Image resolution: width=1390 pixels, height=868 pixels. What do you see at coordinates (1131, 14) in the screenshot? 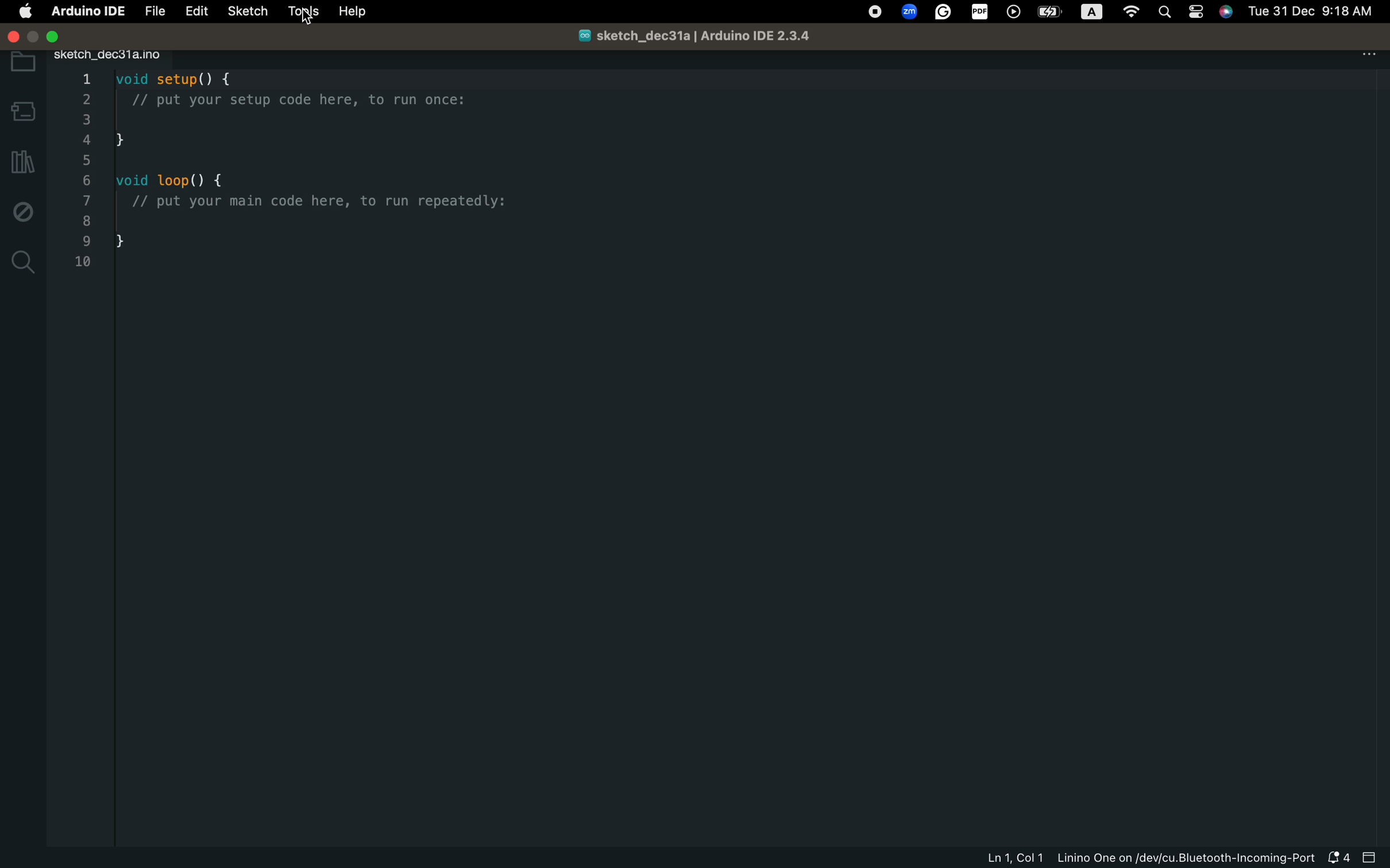
I see `wifi` at bounding box center [1131, 14].